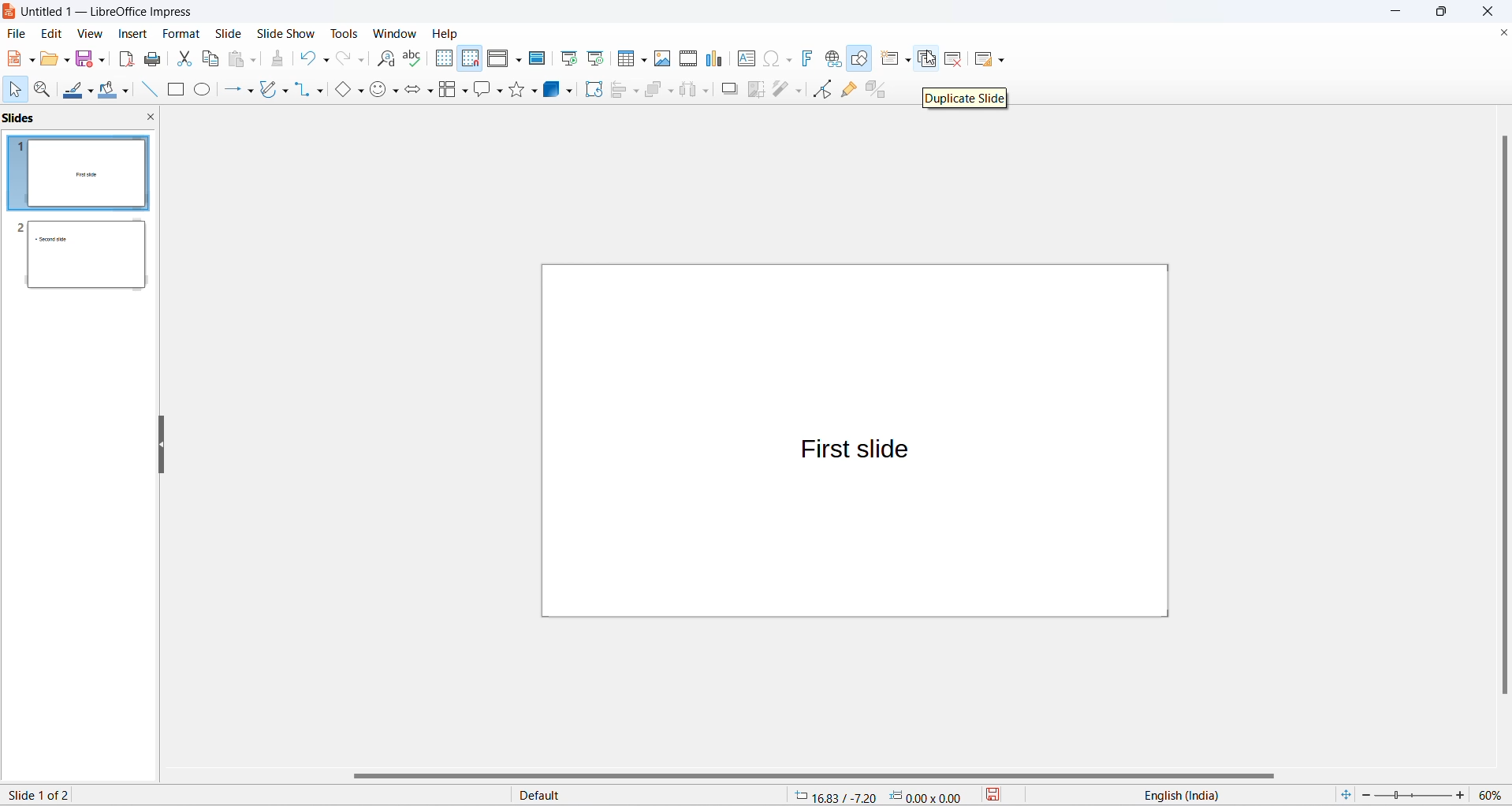 The width and height of the screenshot is (1512, 806). What do you see at coordinates (83, 119) in the screenshot?
I see `slides and close slide icon` at bounding box center [83, 119].